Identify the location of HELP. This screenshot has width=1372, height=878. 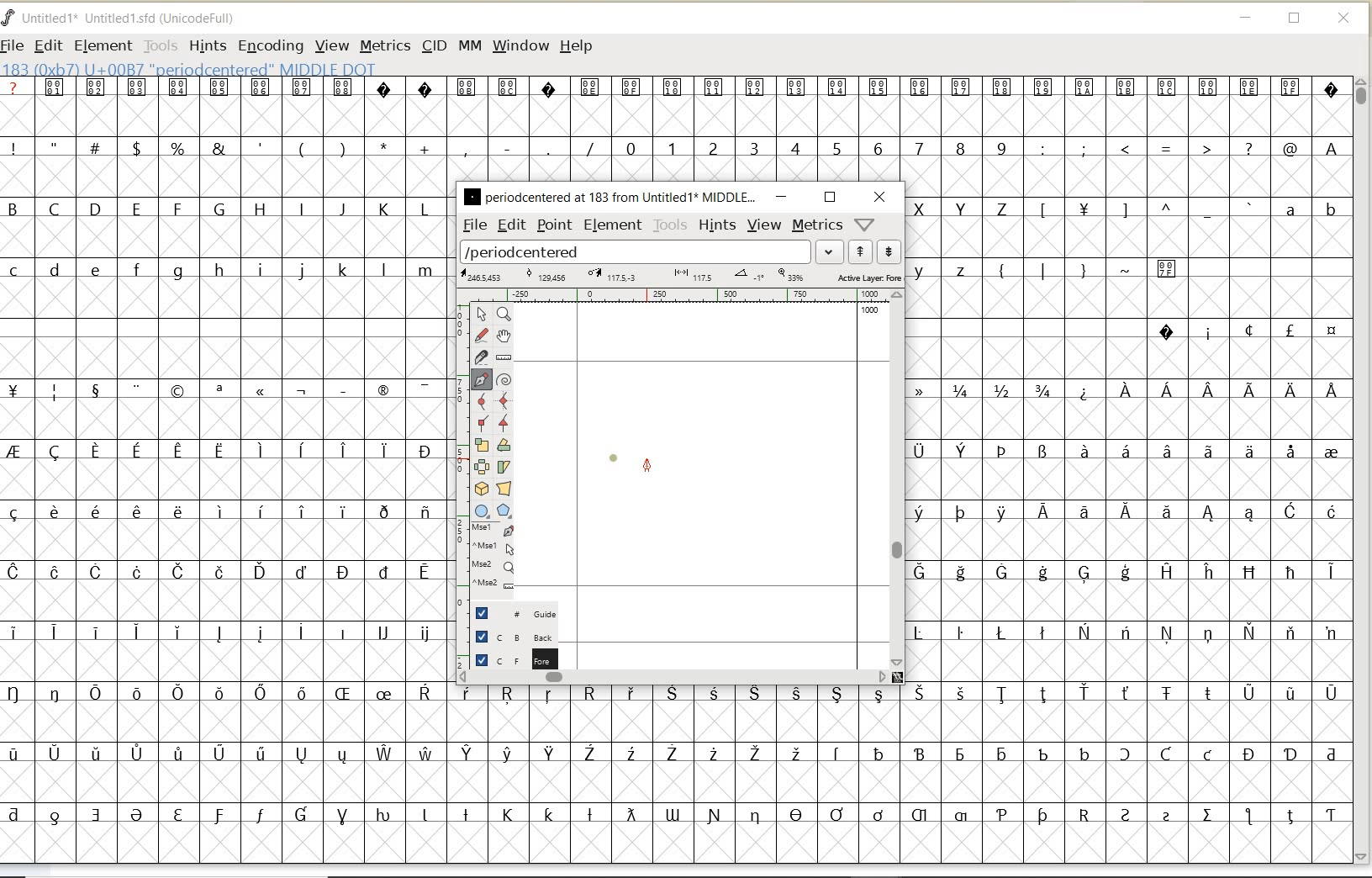
(576, 45).